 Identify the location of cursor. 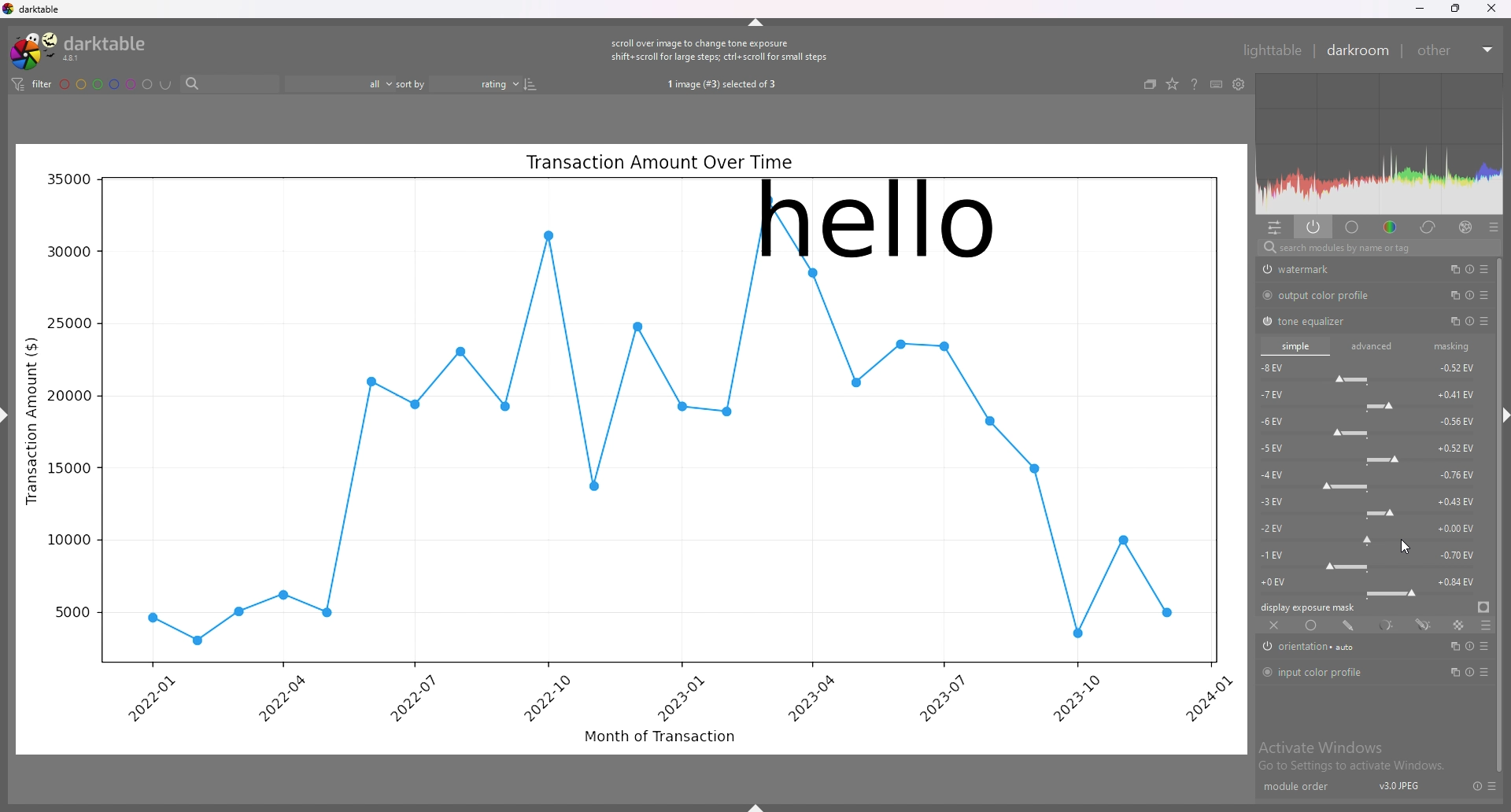
(1406, 547).